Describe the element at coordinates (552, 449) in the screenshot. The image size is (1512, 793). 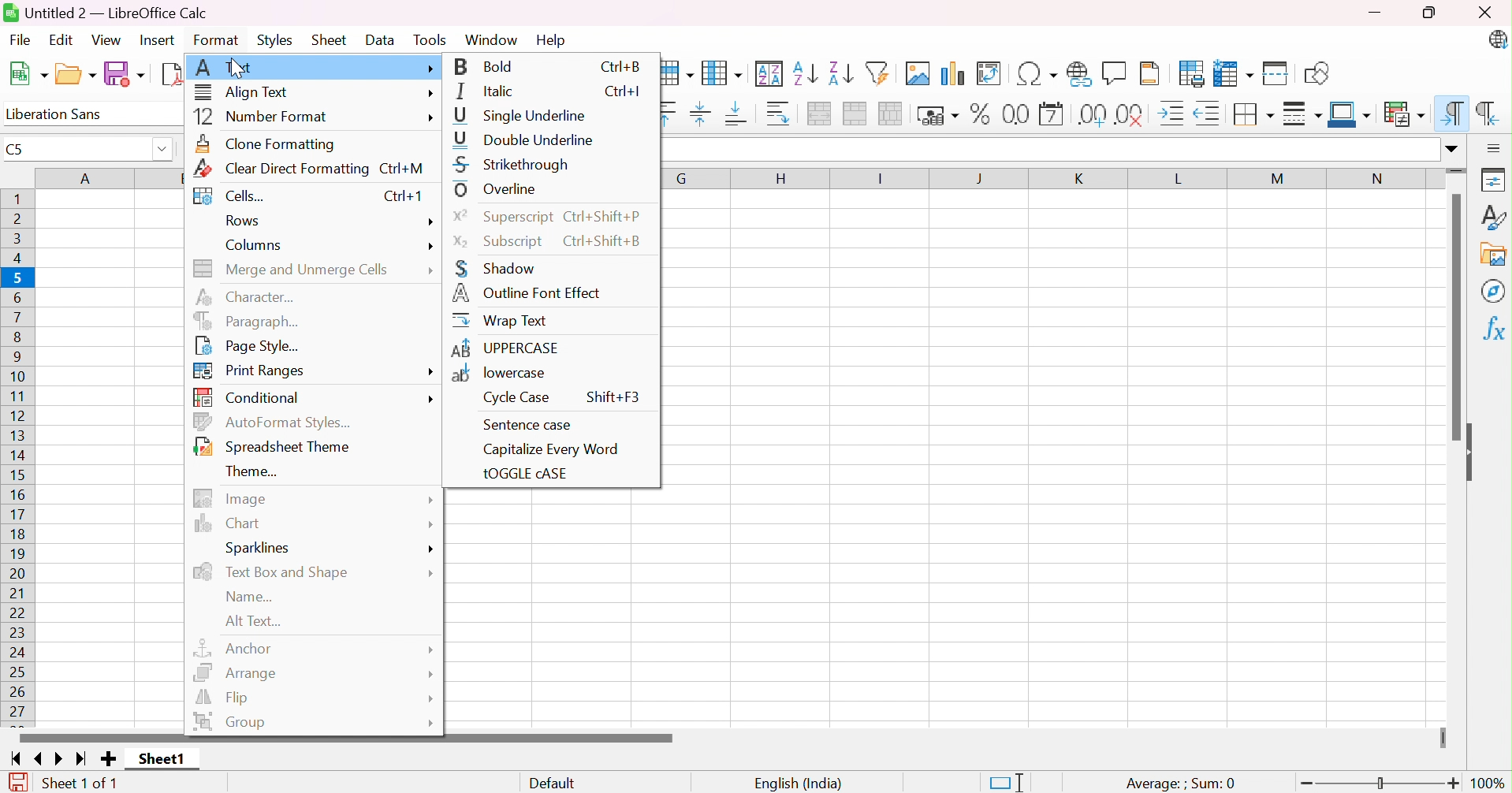
I see `Capitalize Every Word` at that location.